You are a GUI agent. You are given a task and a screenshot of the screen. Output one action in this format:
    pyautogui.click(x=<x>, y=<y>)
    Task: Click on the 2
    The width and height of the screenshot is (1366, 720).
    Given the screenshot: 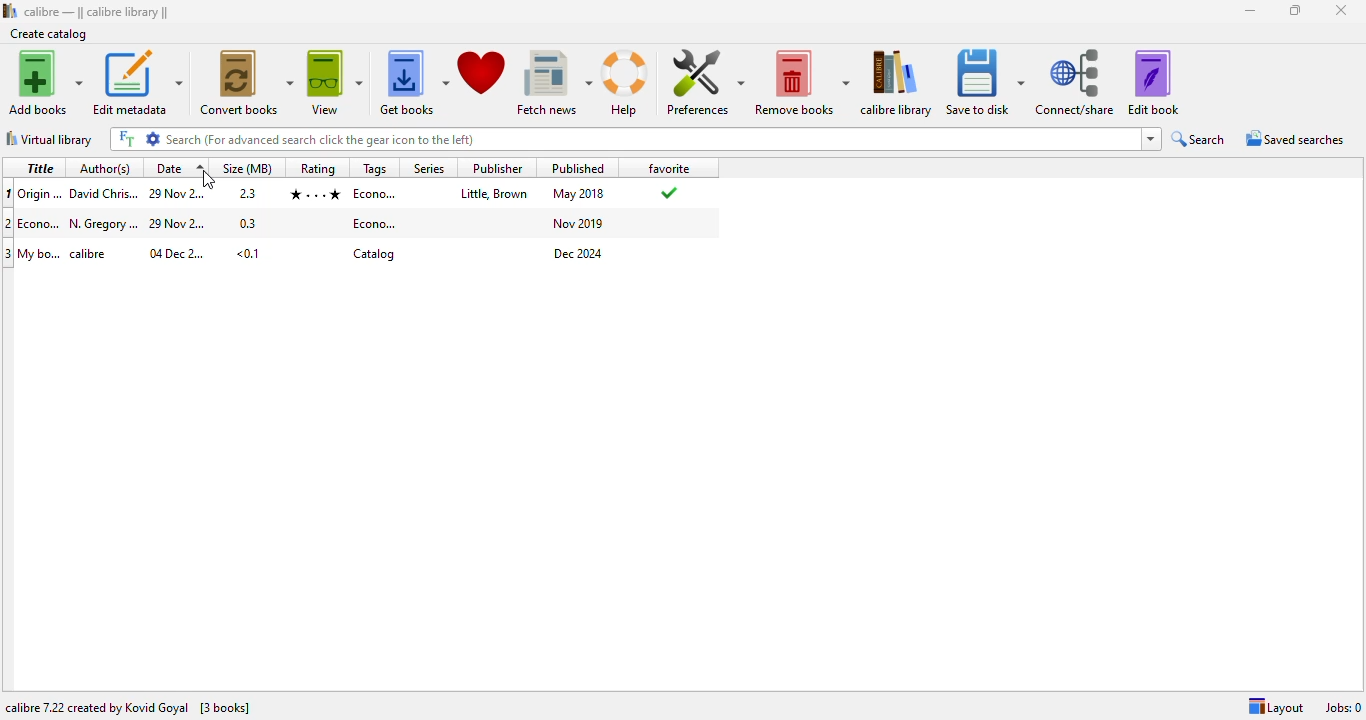 What is the action you would take?
    pyautogui.click(x=9, y=223)
    